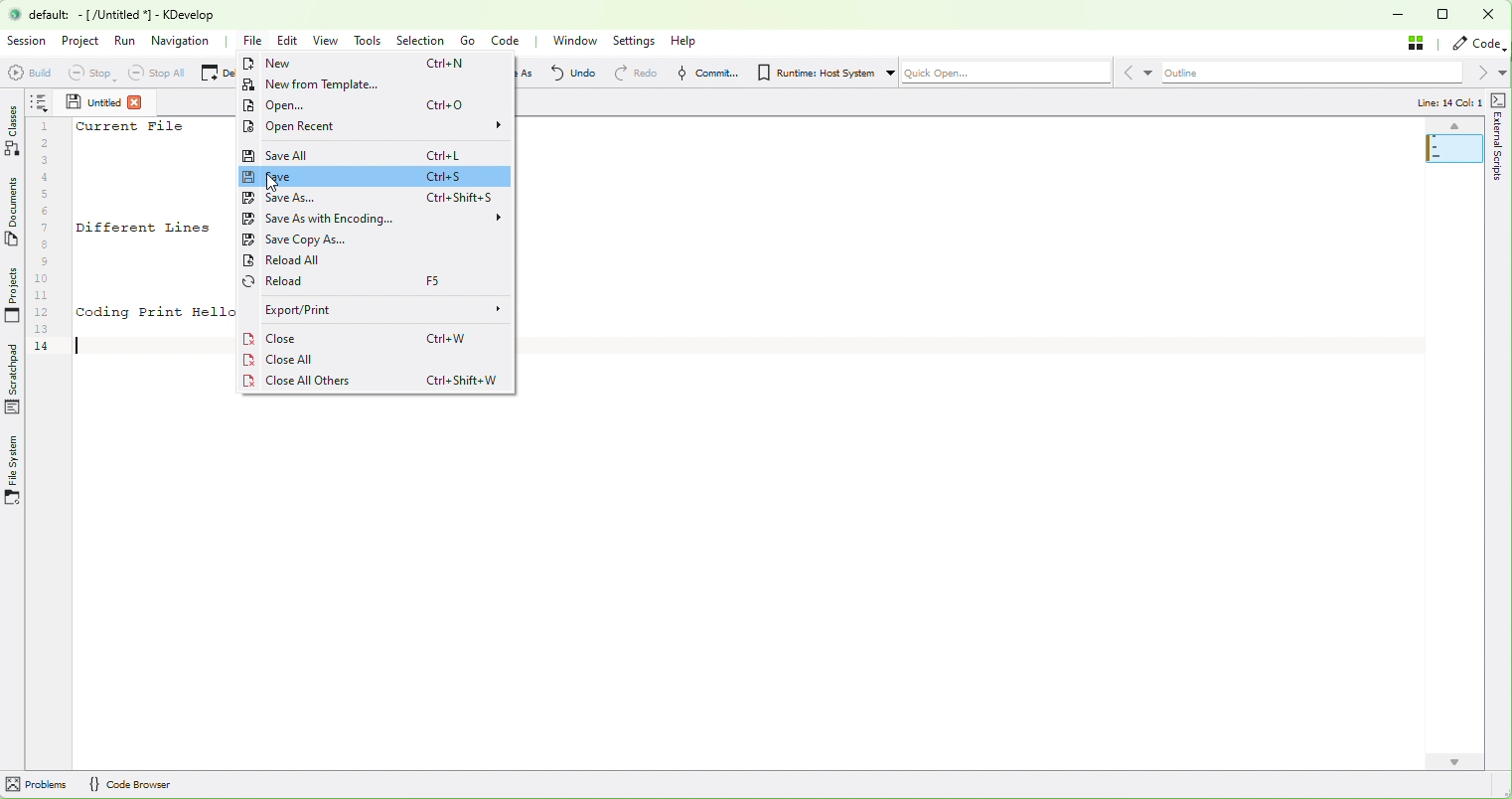 The width and height of the screenshot is (1512, 799). Describe the element at coordinates (462, 198) in the screenshot. I see `Ctrl+Shift+S` at that location.